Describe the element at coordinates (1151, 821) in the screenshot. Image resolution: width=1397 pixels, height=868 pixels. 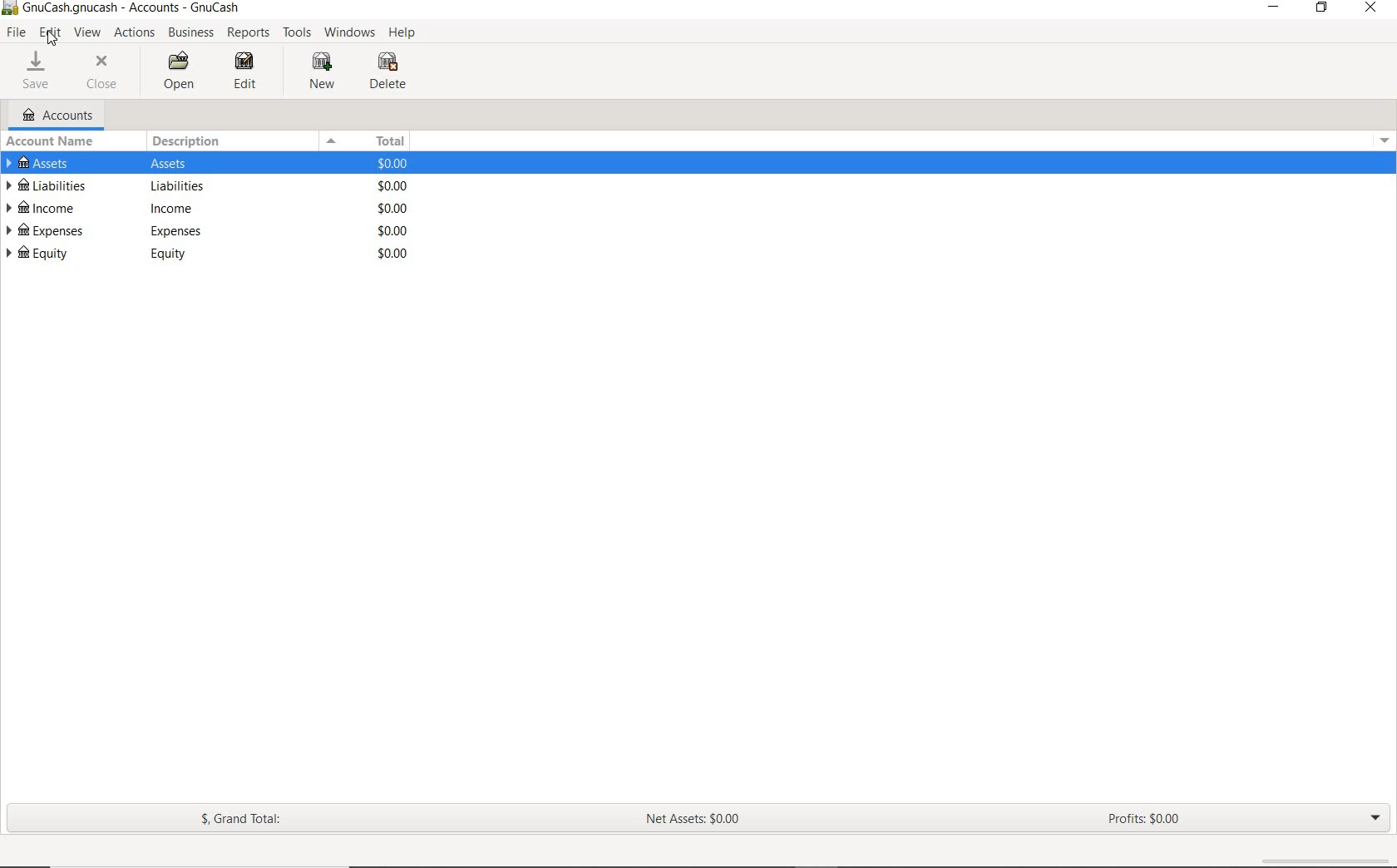
I see `PROFITS` at that location.